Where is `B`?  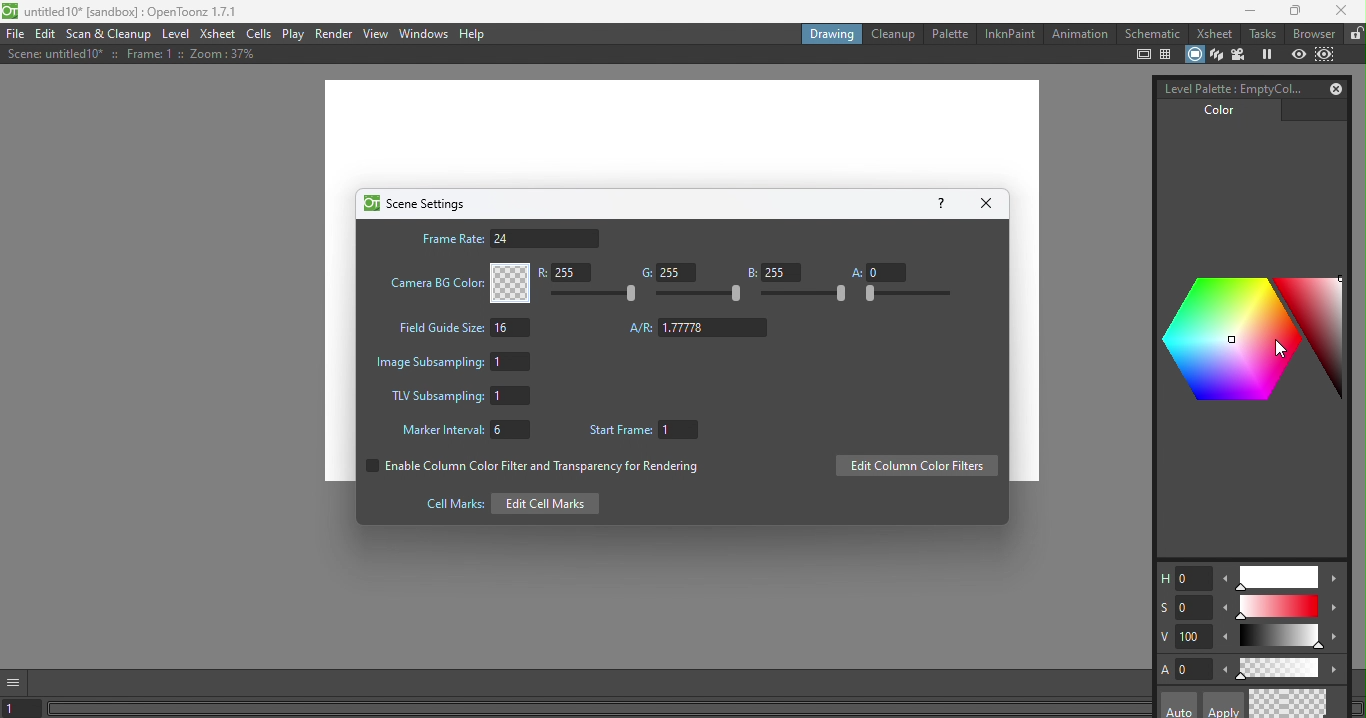
B is located at coordinates (773, 272).